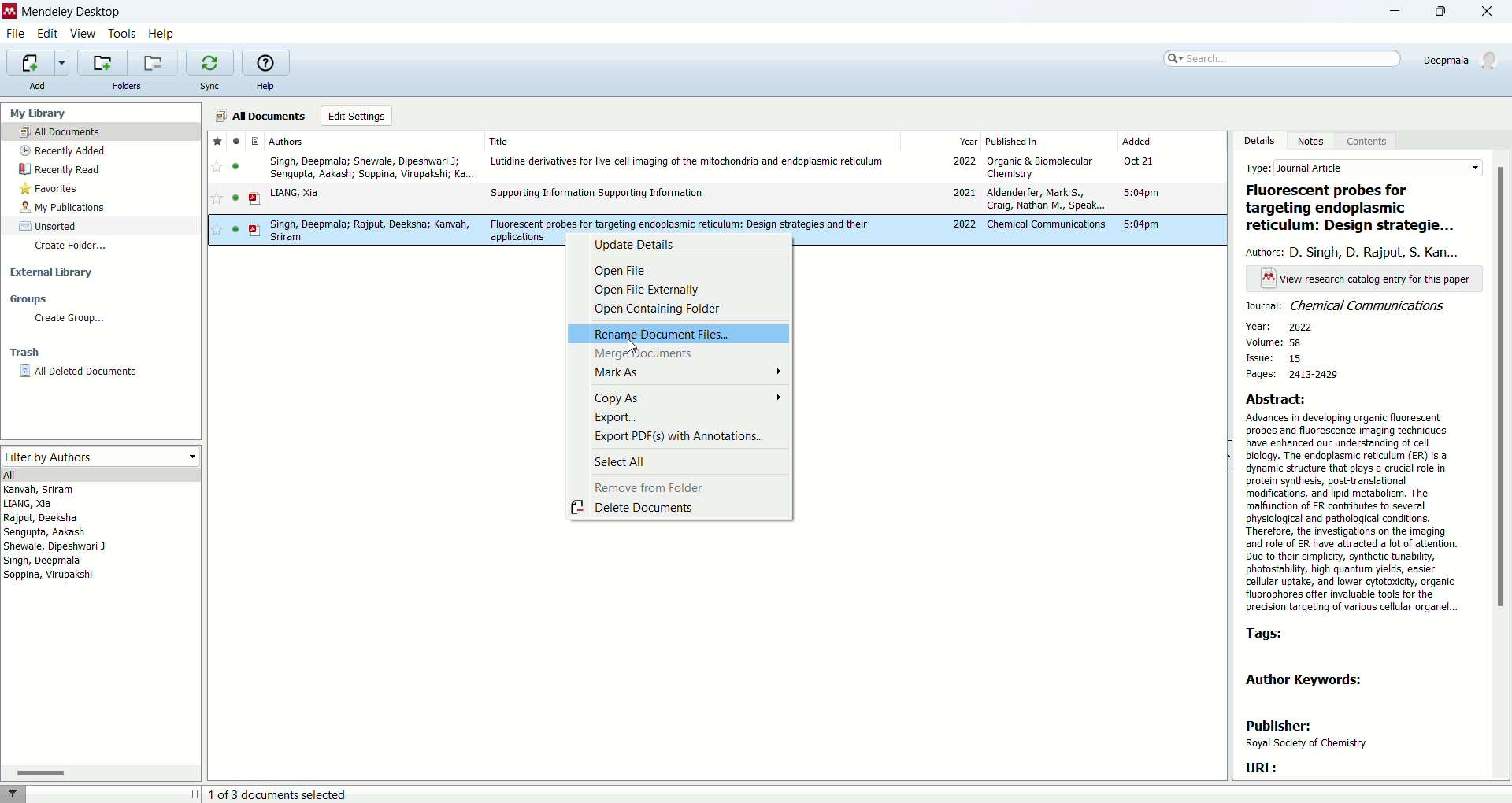  Describe the element at coordinates (25, 354) in the screenshot. I see `trash` at that location.